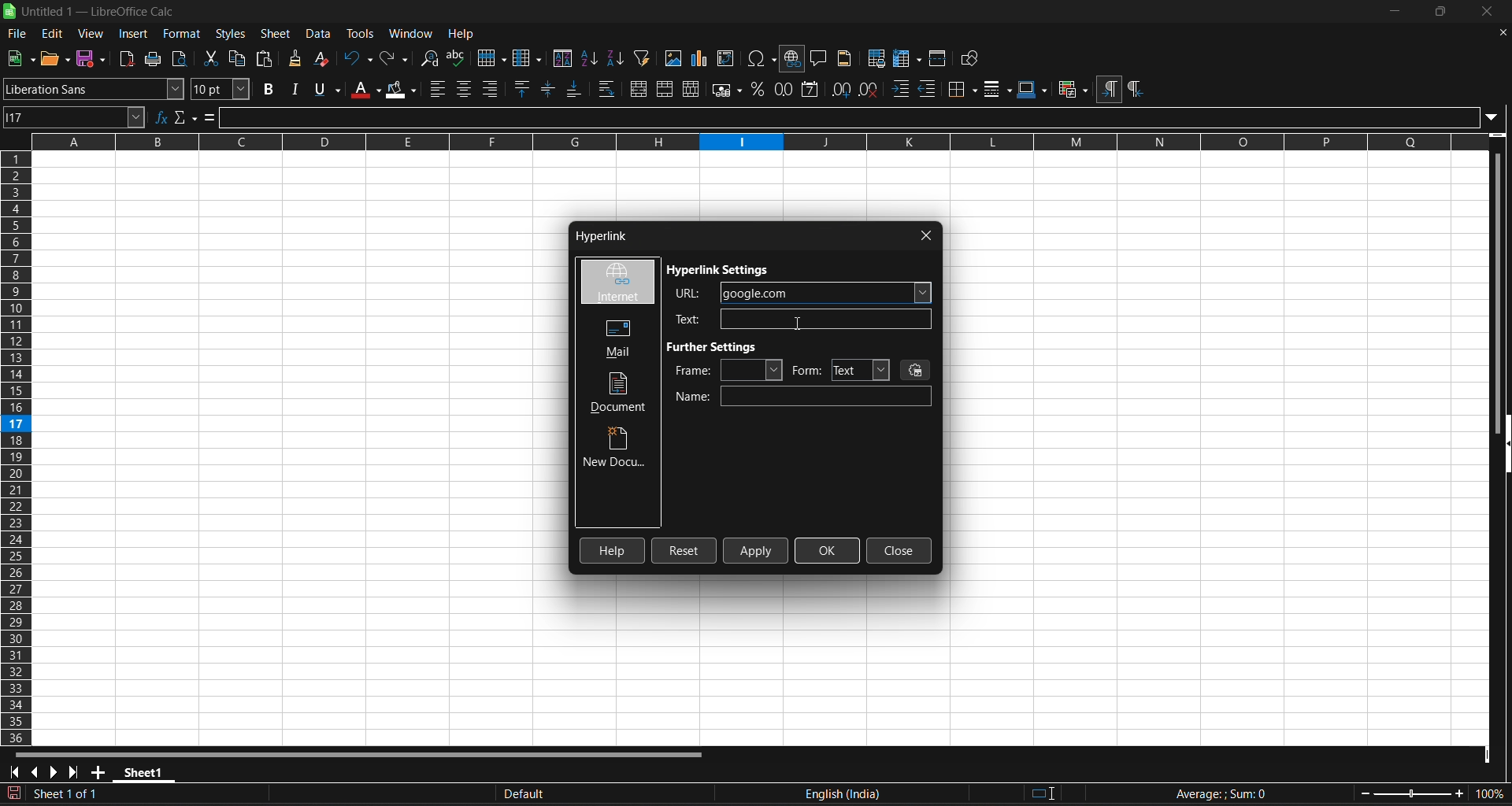 The image size is (1512, 806). I want to click on align top, so click(524, 88).